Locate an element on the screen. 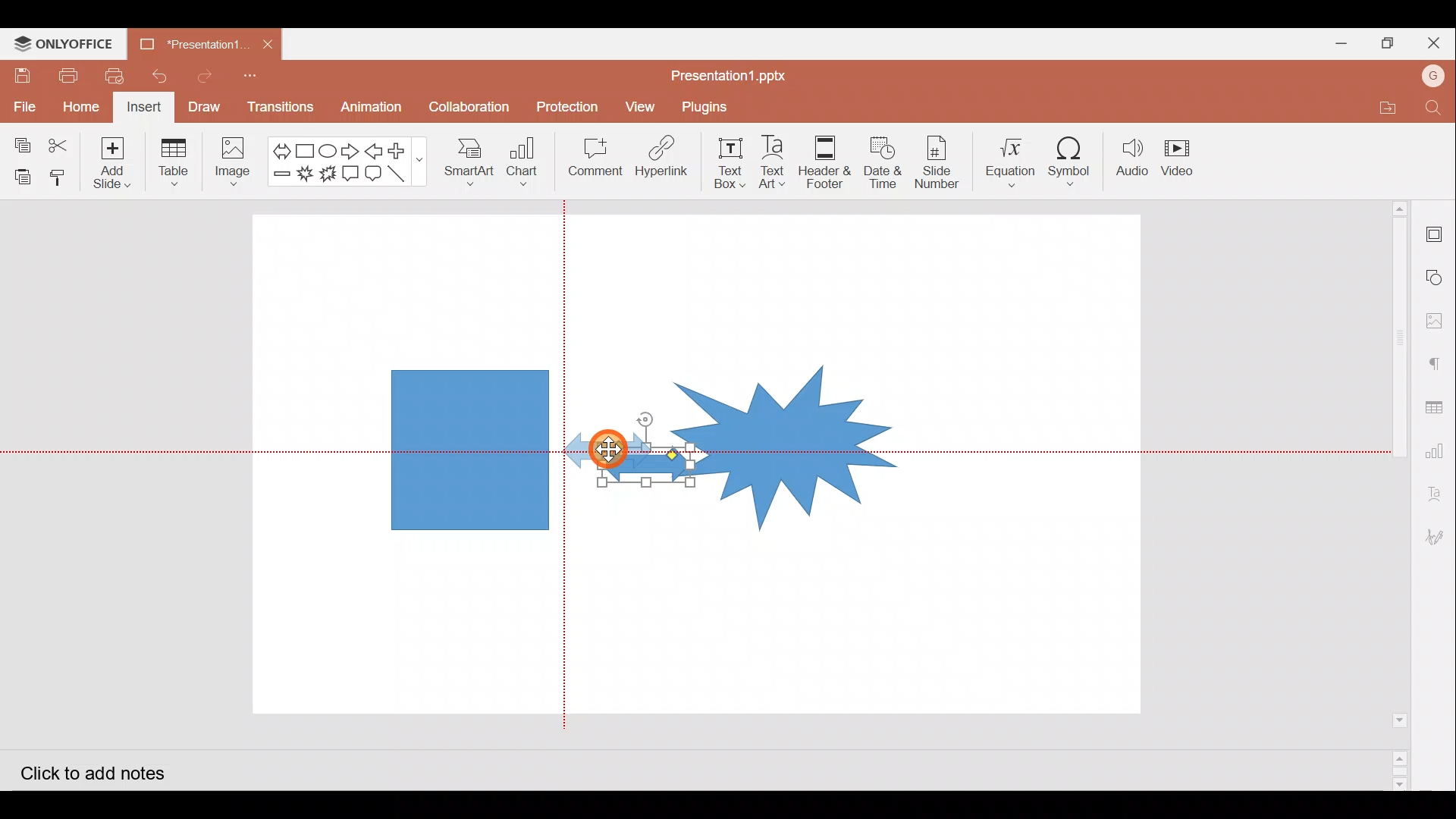 The width and height of the screenshot is (1456, 819). Open file location is located at coordinates (1383, 105).